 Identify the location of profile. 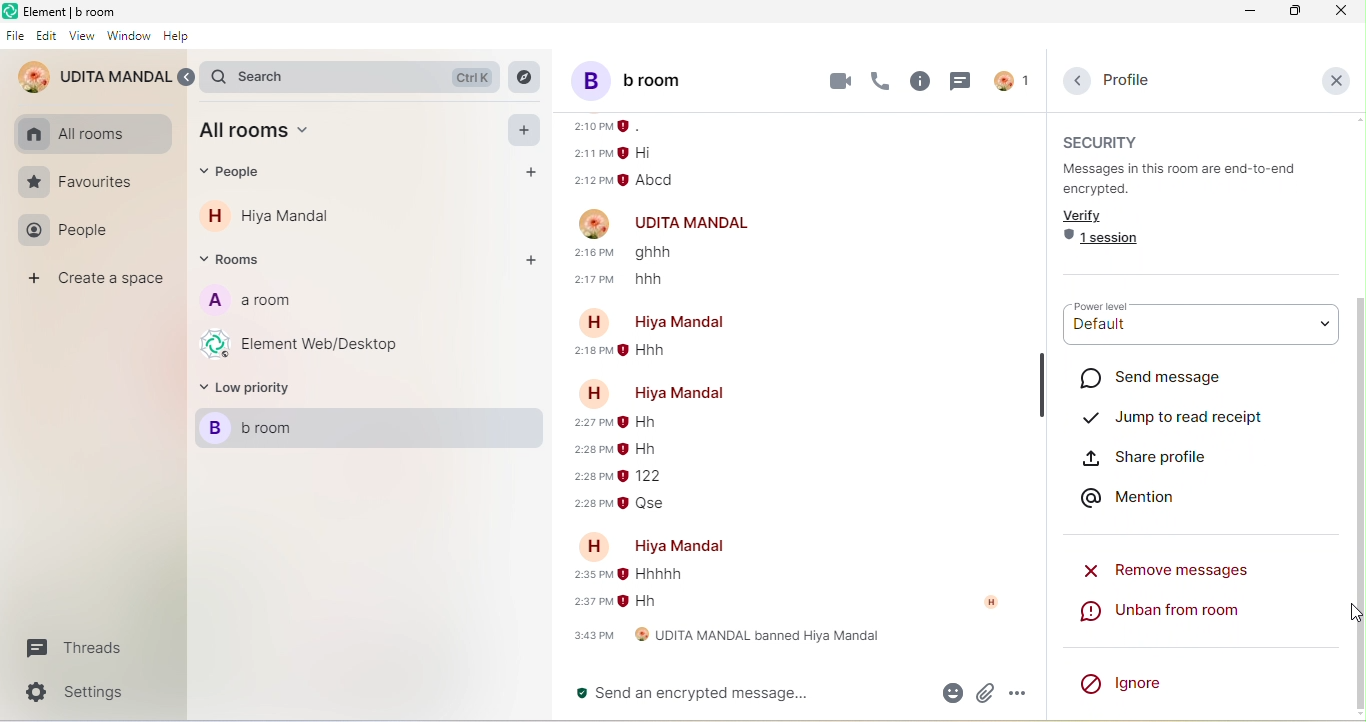
(1124, 80).